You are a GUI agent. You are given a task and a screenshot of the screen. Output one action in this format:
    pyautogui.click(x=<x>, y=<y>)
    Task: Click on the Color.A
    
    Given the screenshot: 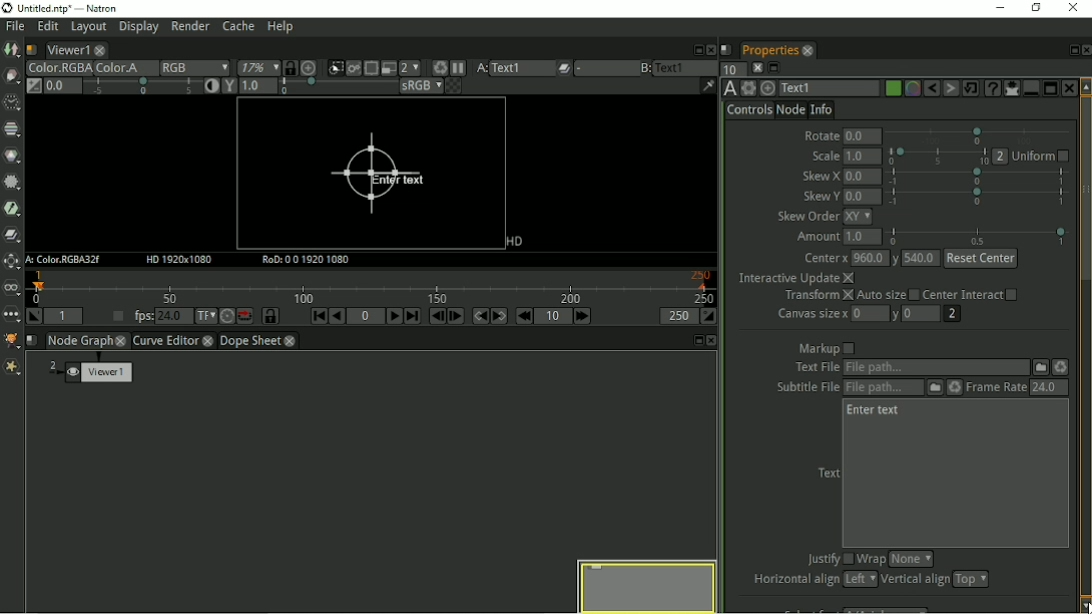 What is the action you would take?
    pyautogui.click(x=124, y=68)
    